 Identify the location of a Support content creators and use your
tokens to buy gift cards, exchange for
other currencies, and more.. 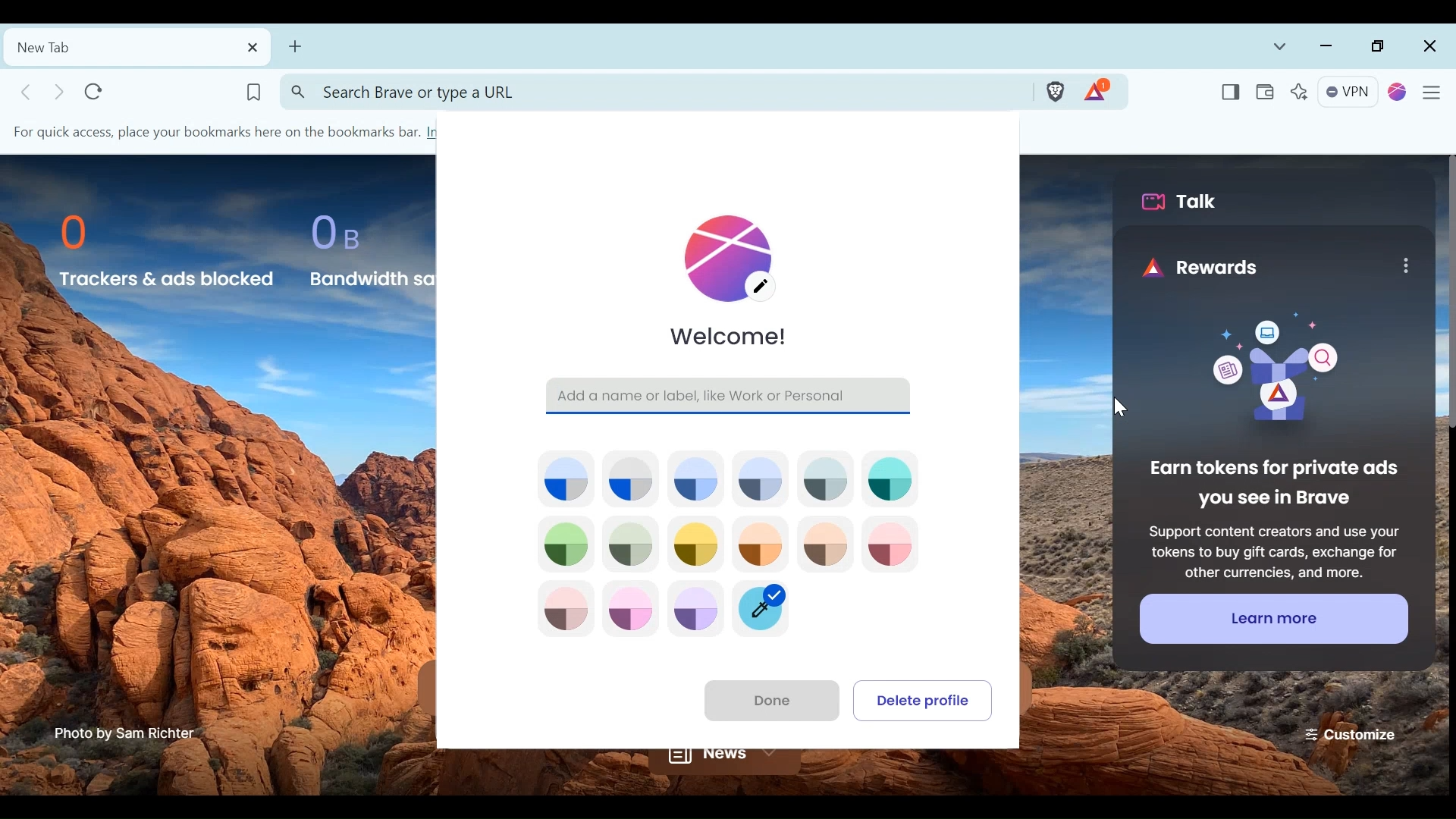
(1272, 549).